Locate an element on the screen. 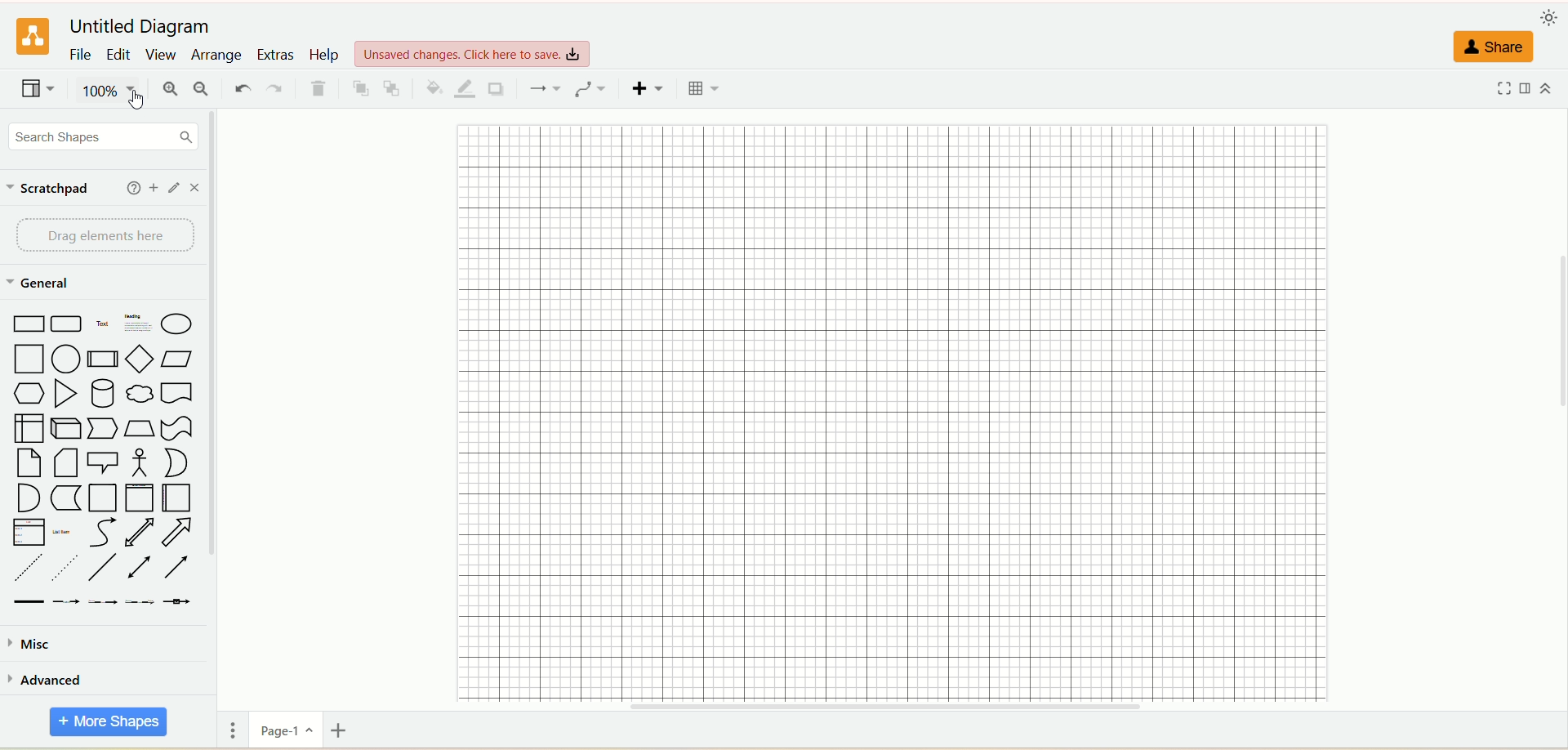 This screenshot has width=1568, height=750. rounded rectangle is located at coordinates (69, 324).